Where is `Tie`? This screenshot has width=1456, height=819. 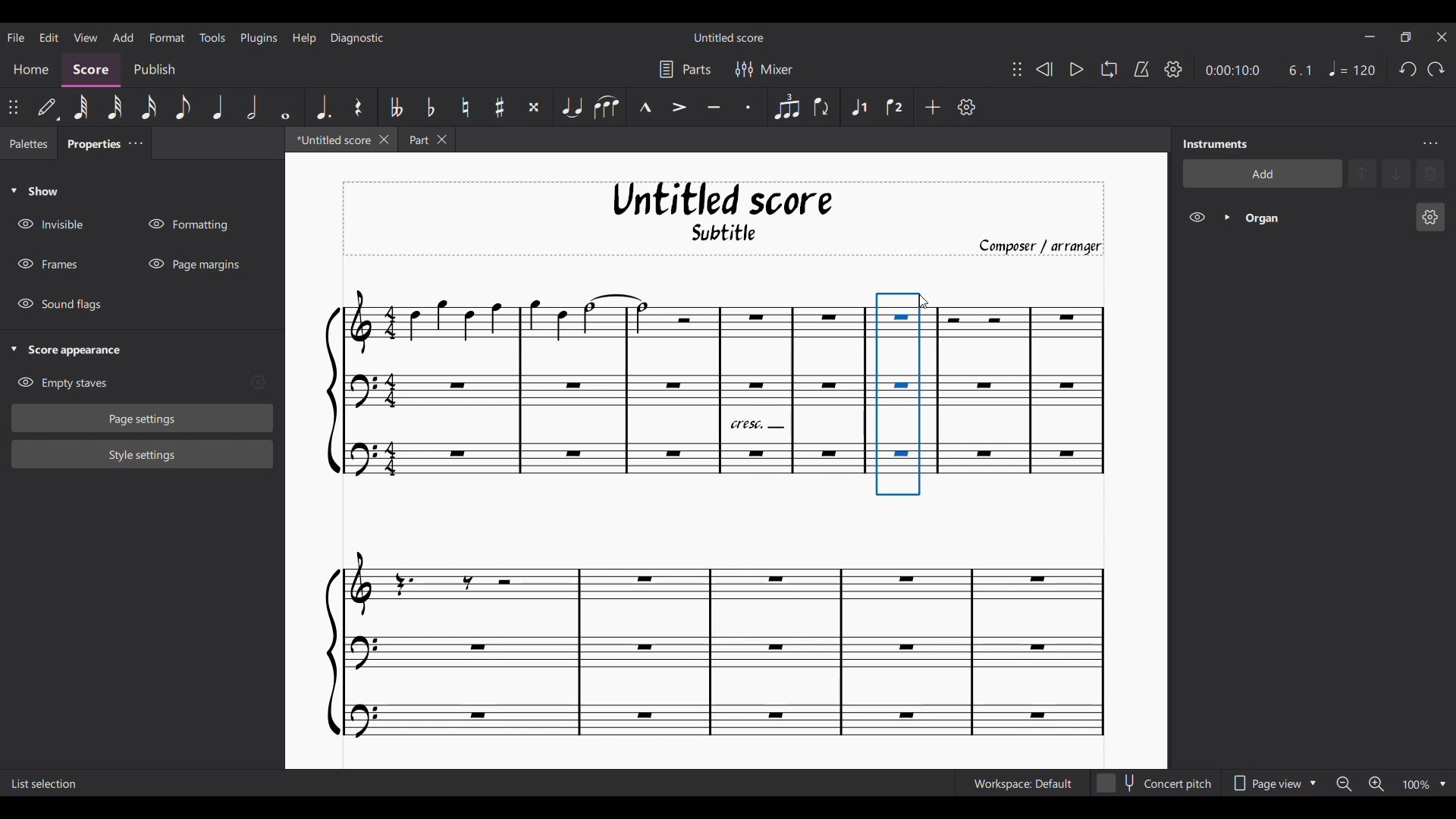
Tie is located at coordinates (571, 107).